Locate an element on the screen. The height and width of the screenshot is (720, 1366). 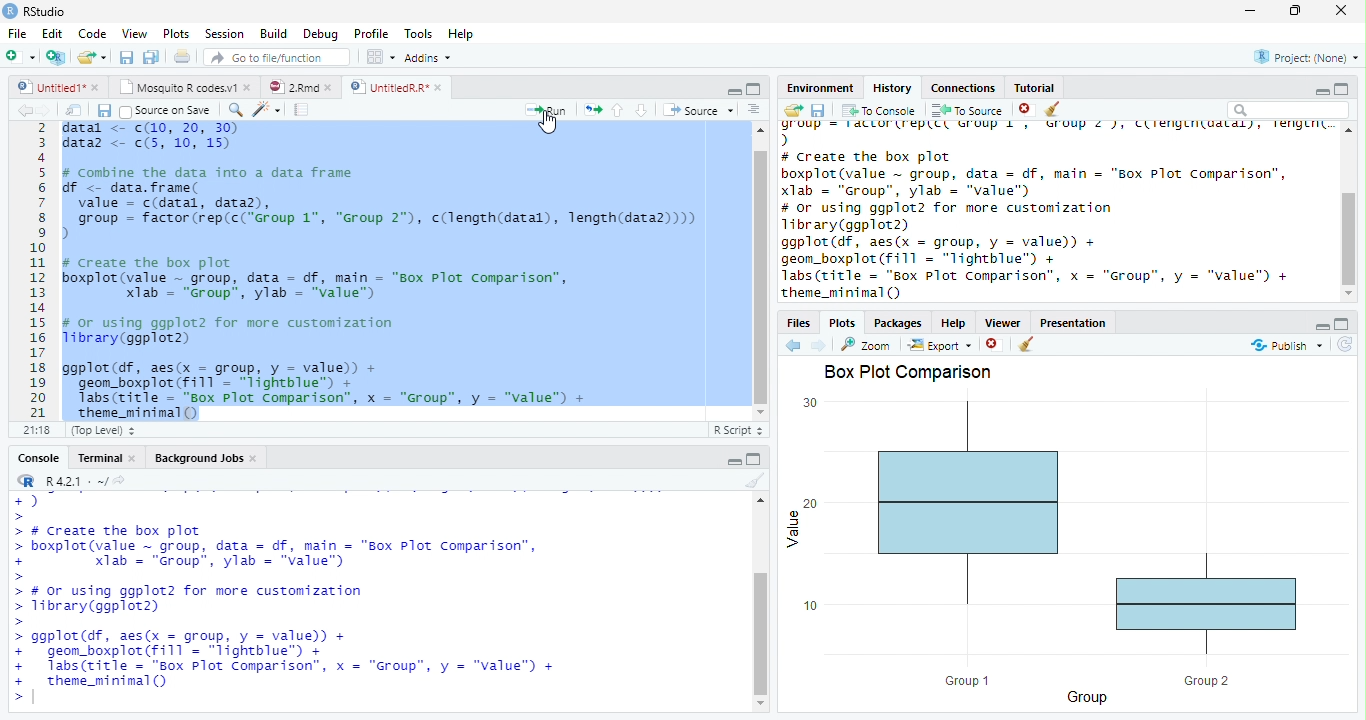
Mosquito R codes.v1 is located at coordinates (175, 87).